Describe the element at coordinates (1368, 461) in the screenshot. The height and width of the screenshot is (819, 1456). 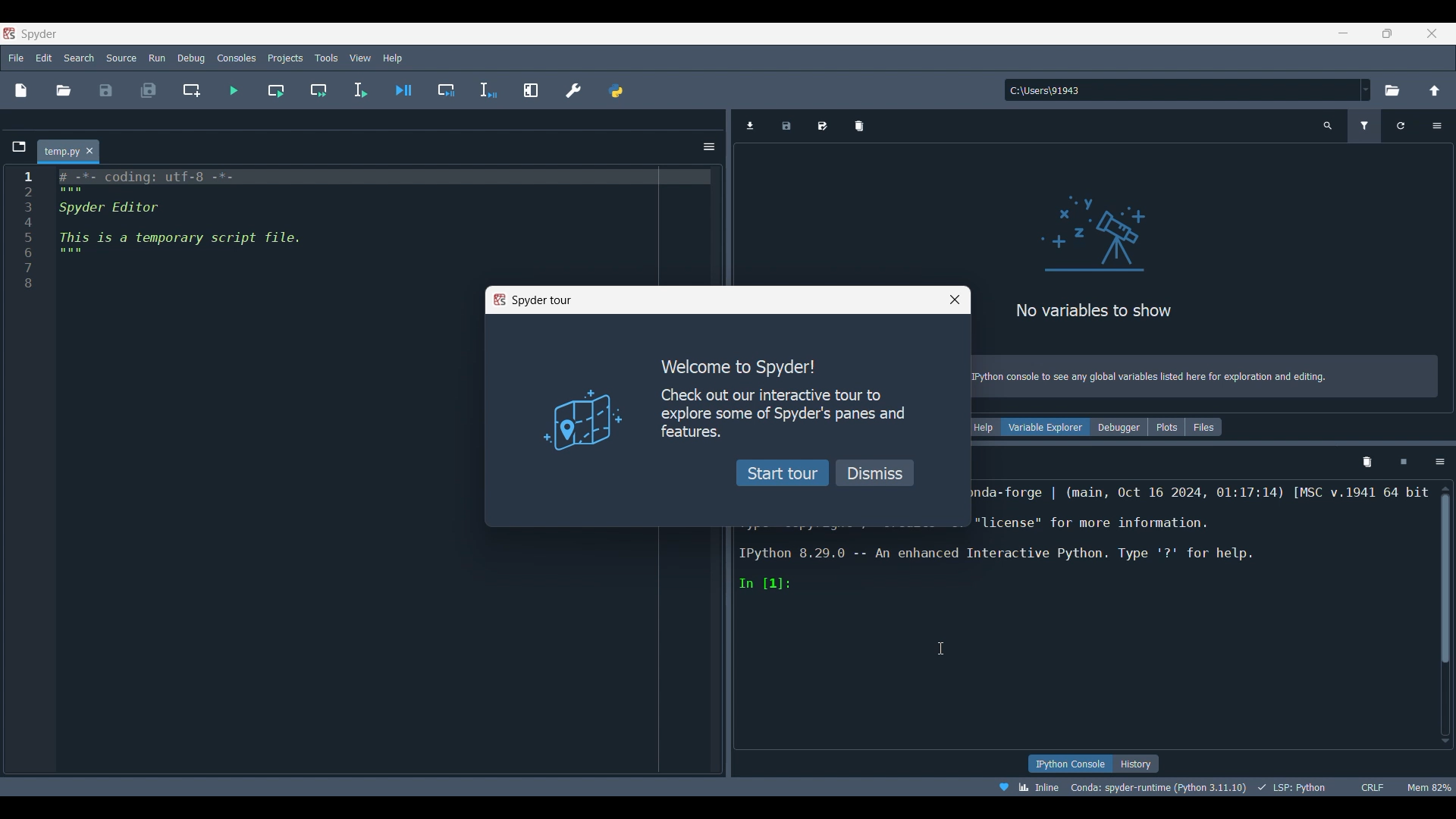
I see `delete` at that location.